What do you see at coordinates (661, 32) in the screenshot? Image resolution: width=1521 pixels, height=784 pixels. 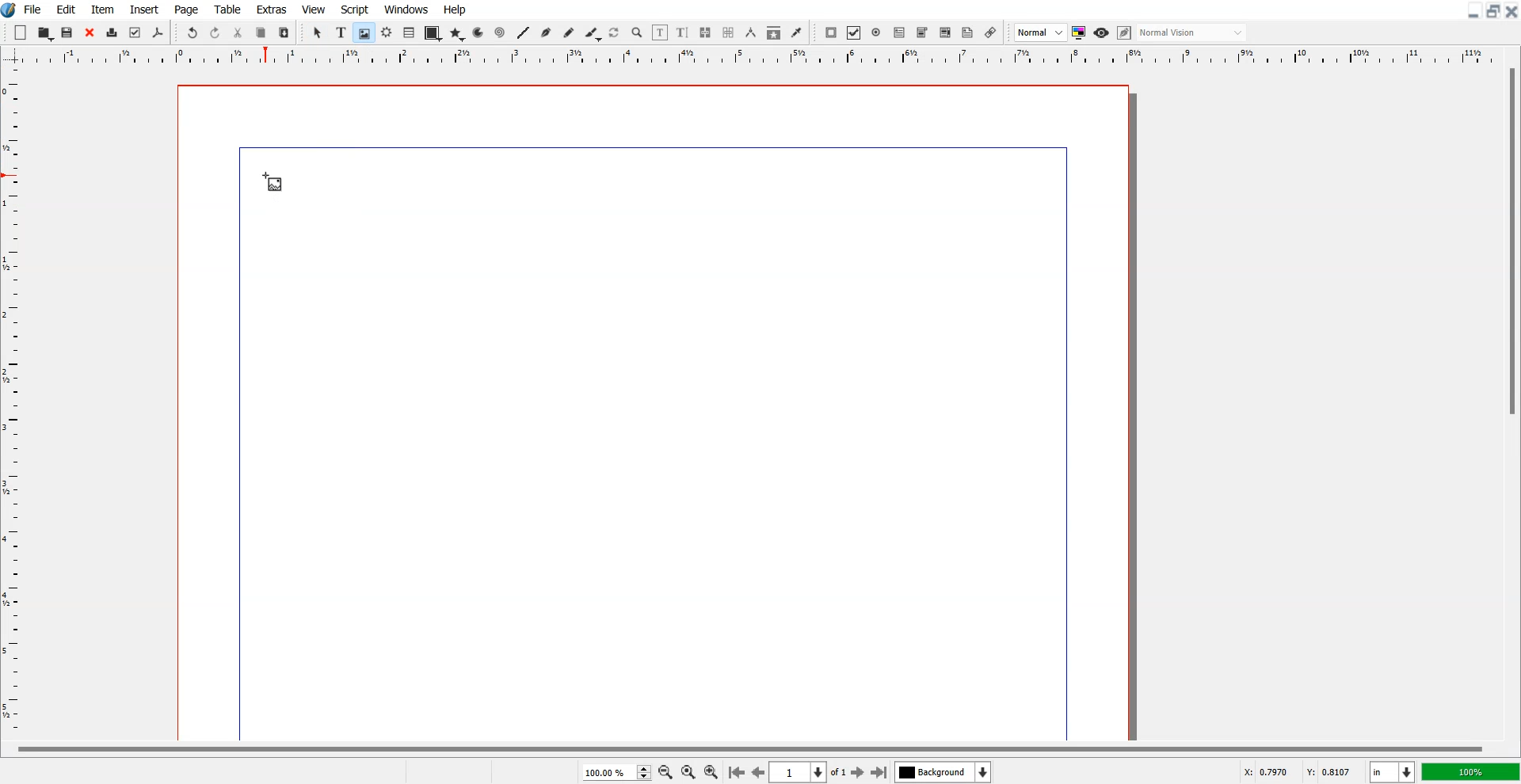 I see `Edit Content of Frame` at bounding box center [661, 32].